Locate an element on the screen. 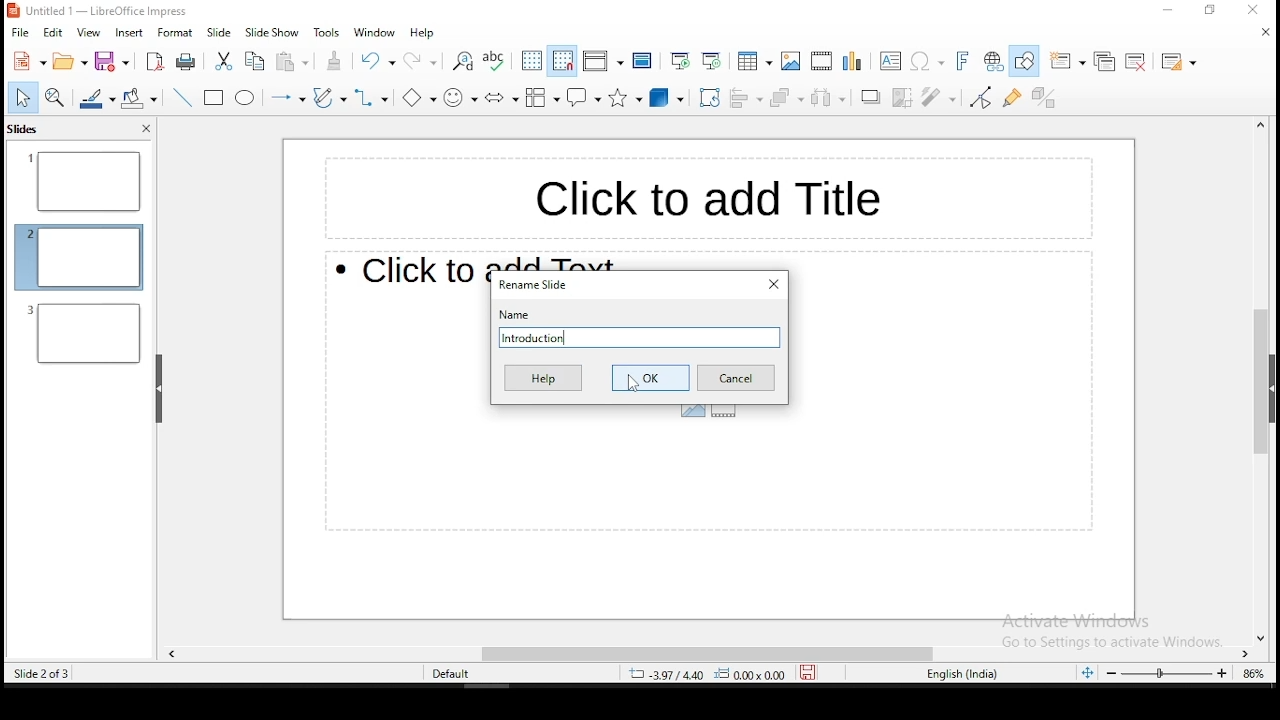  spell check is located at coordinates (494, 62).